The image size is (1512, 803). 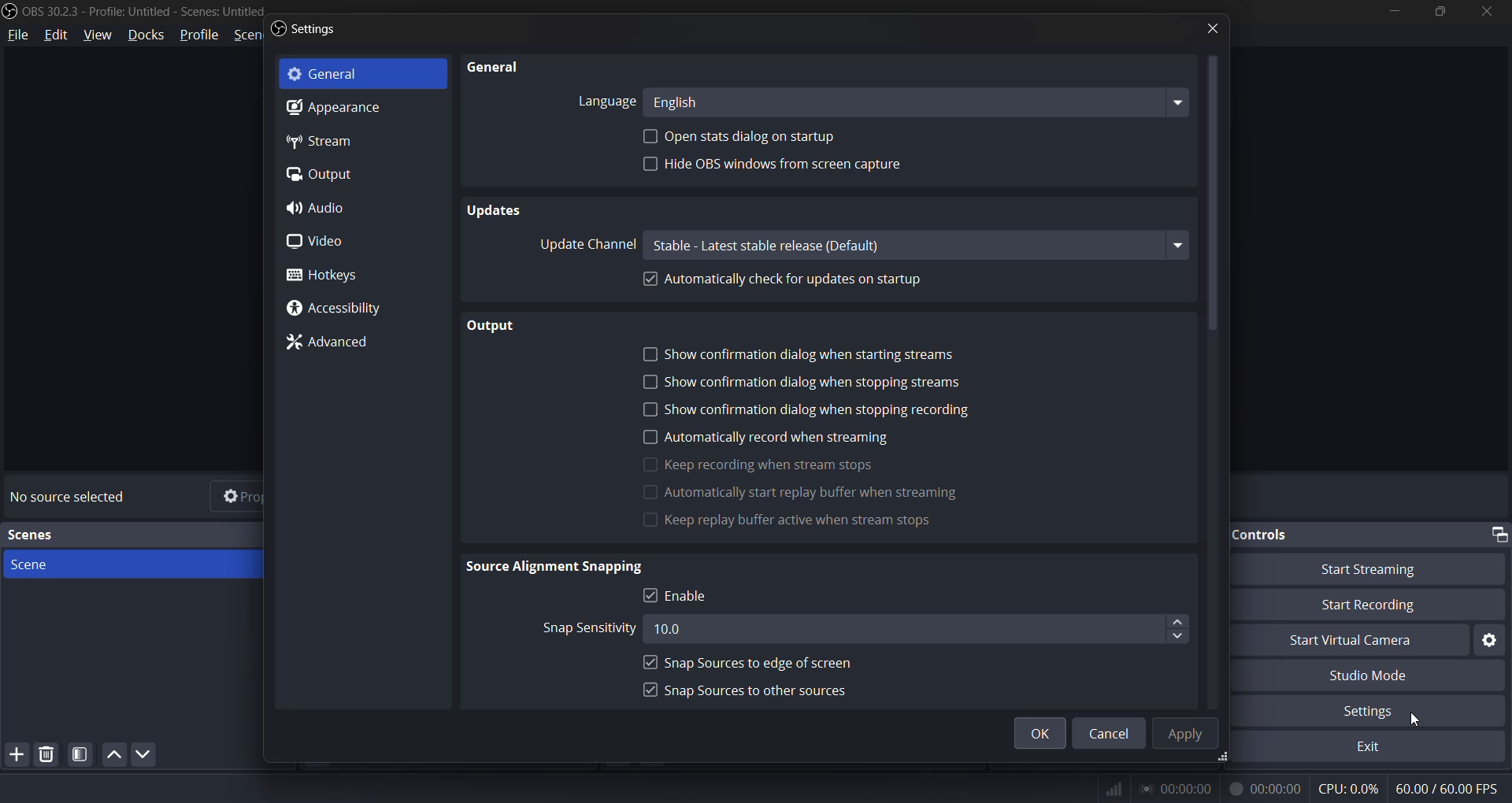 What do you see at coordinates (649, 521) in the screenshot?
I see `checkbox` at bounding box center [649, 521].